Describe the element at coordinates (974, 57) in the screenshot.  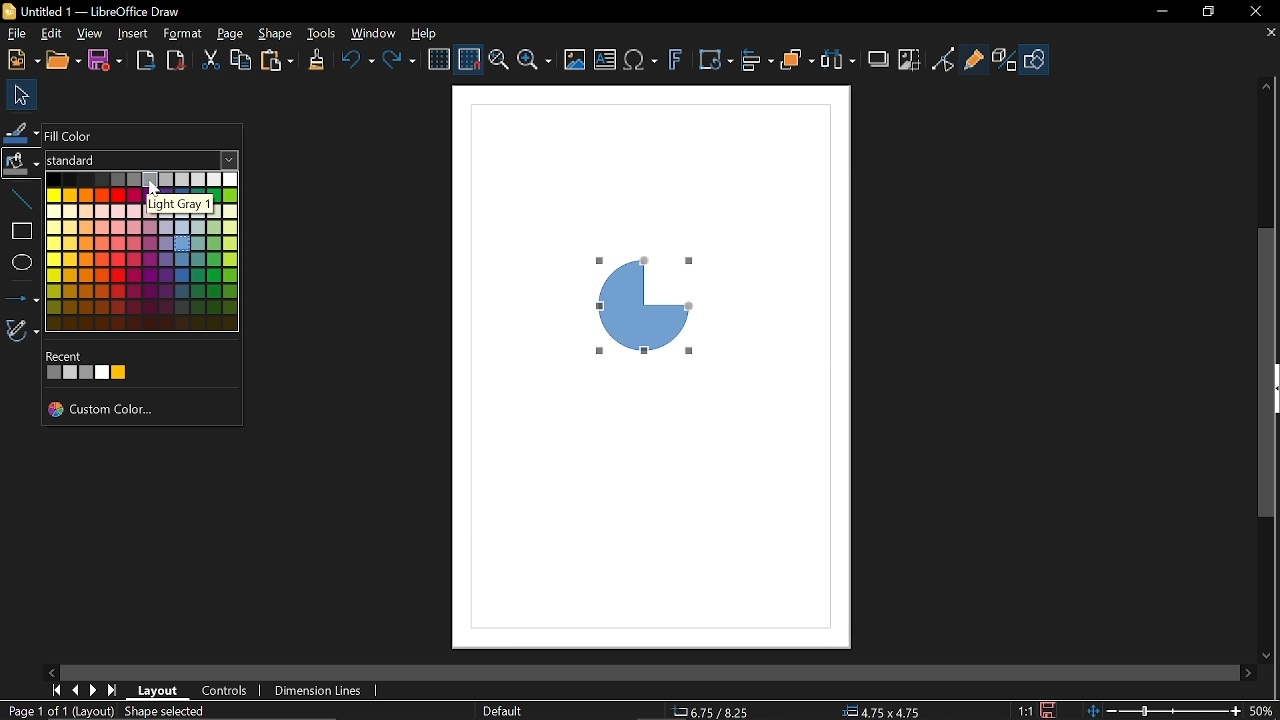
I see `Glue` at that location.